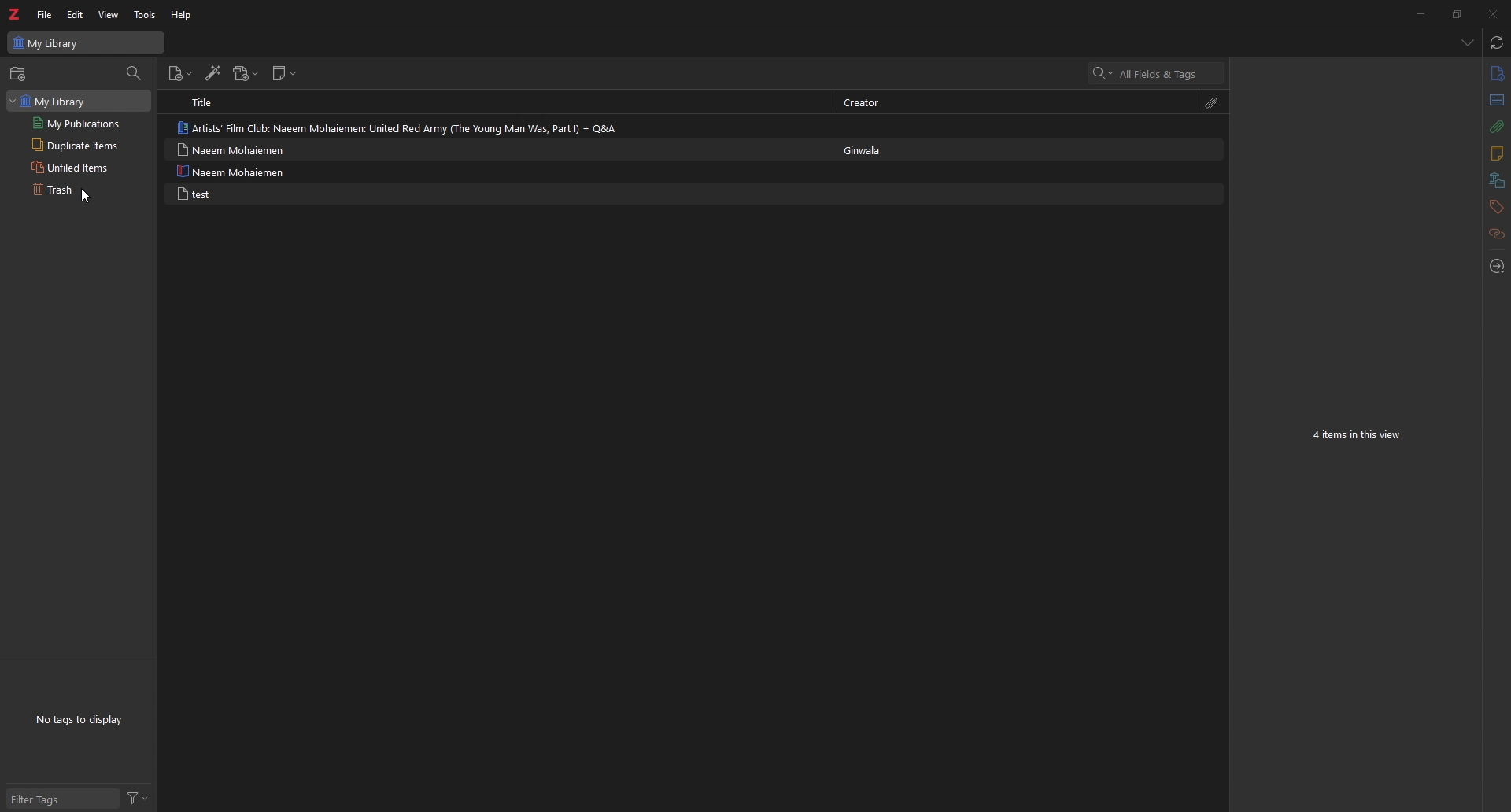  I want to click on filter items, so click(135, 74).